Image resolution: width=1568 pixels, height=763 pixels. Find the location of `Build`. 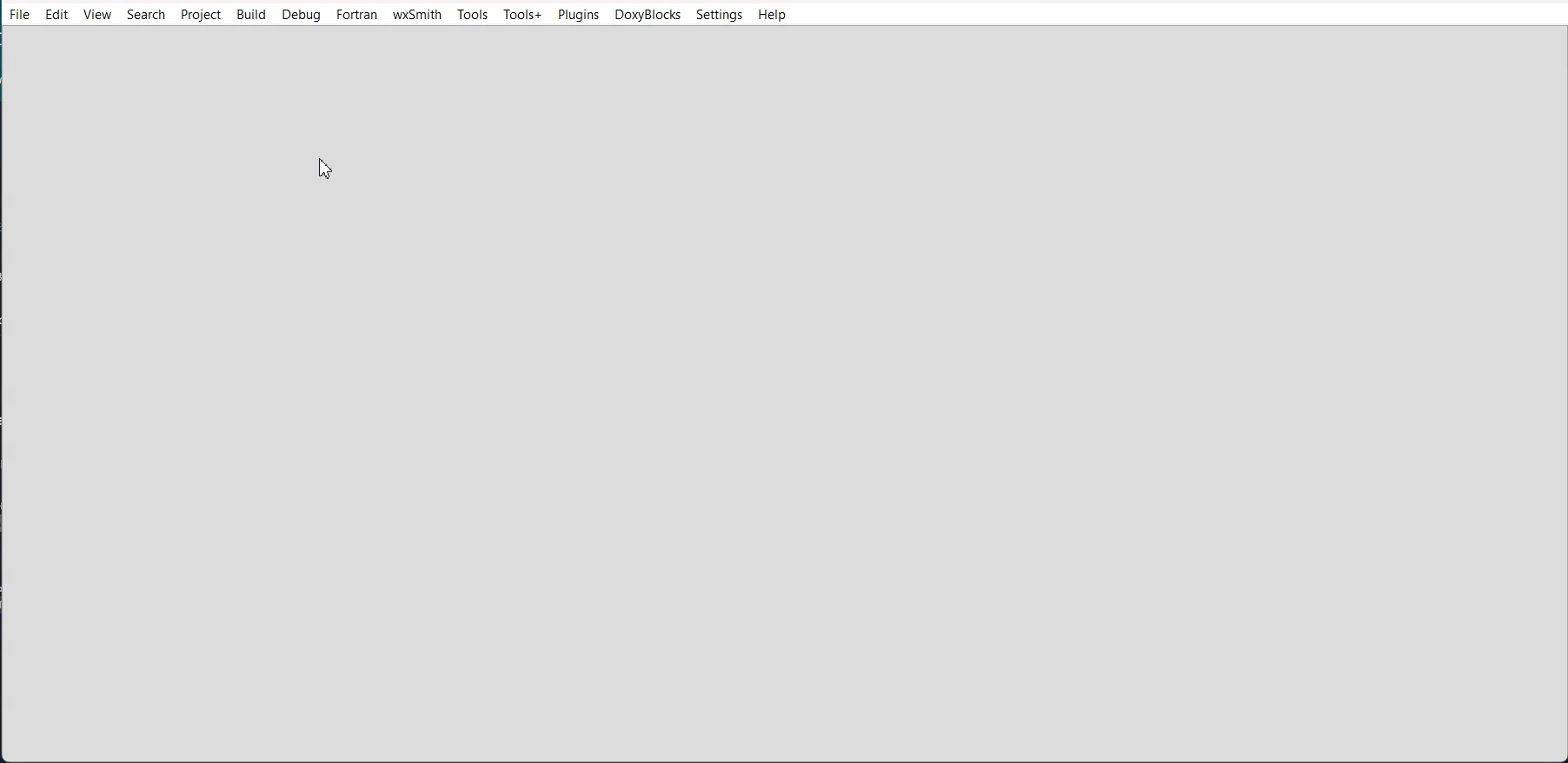

Build is located at coordinates (252, 15).